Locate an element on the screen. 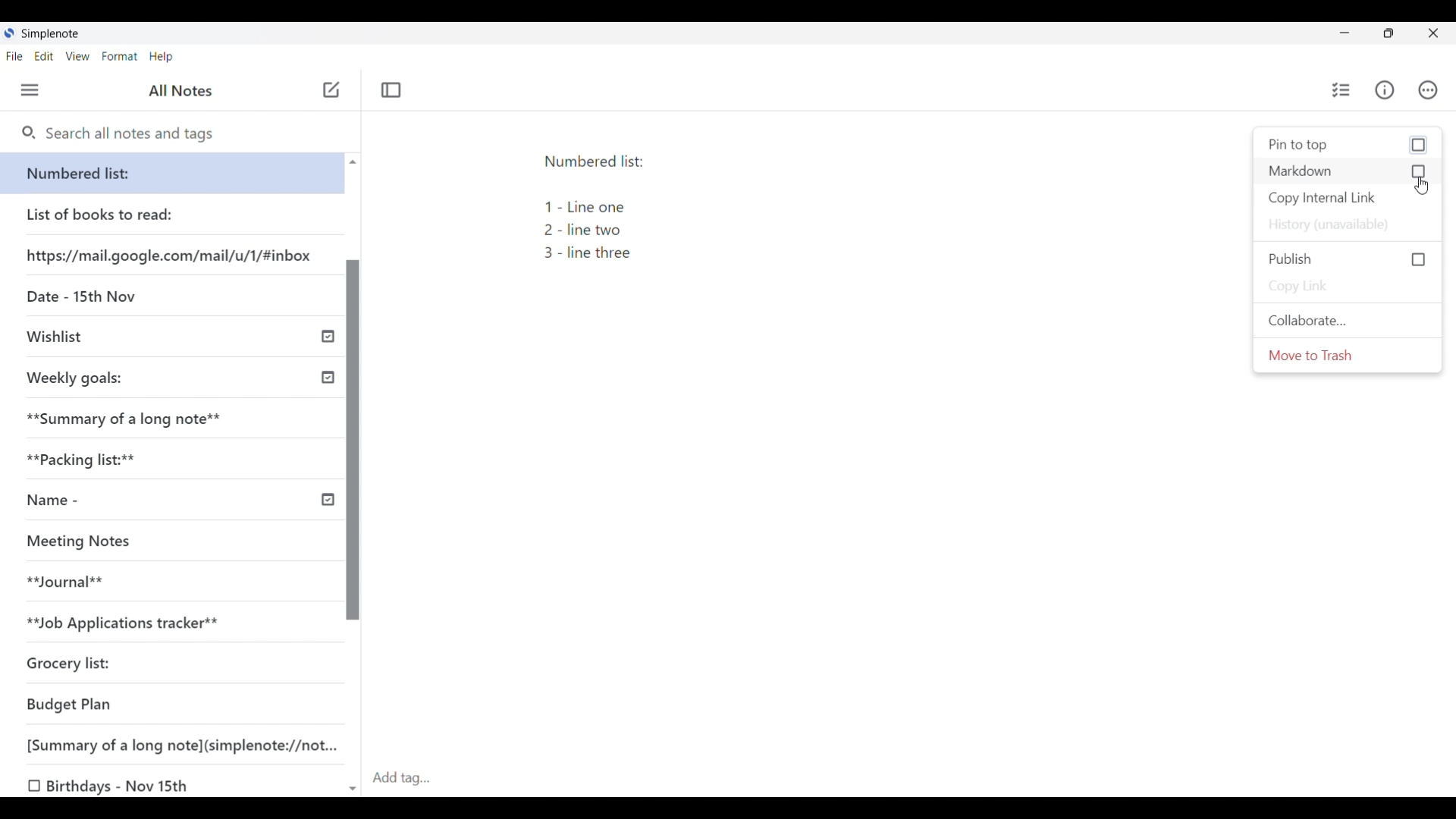 Image resolution: width=1456 pixels, height=819 pixels. timeline is located at coordinates (328, 500).